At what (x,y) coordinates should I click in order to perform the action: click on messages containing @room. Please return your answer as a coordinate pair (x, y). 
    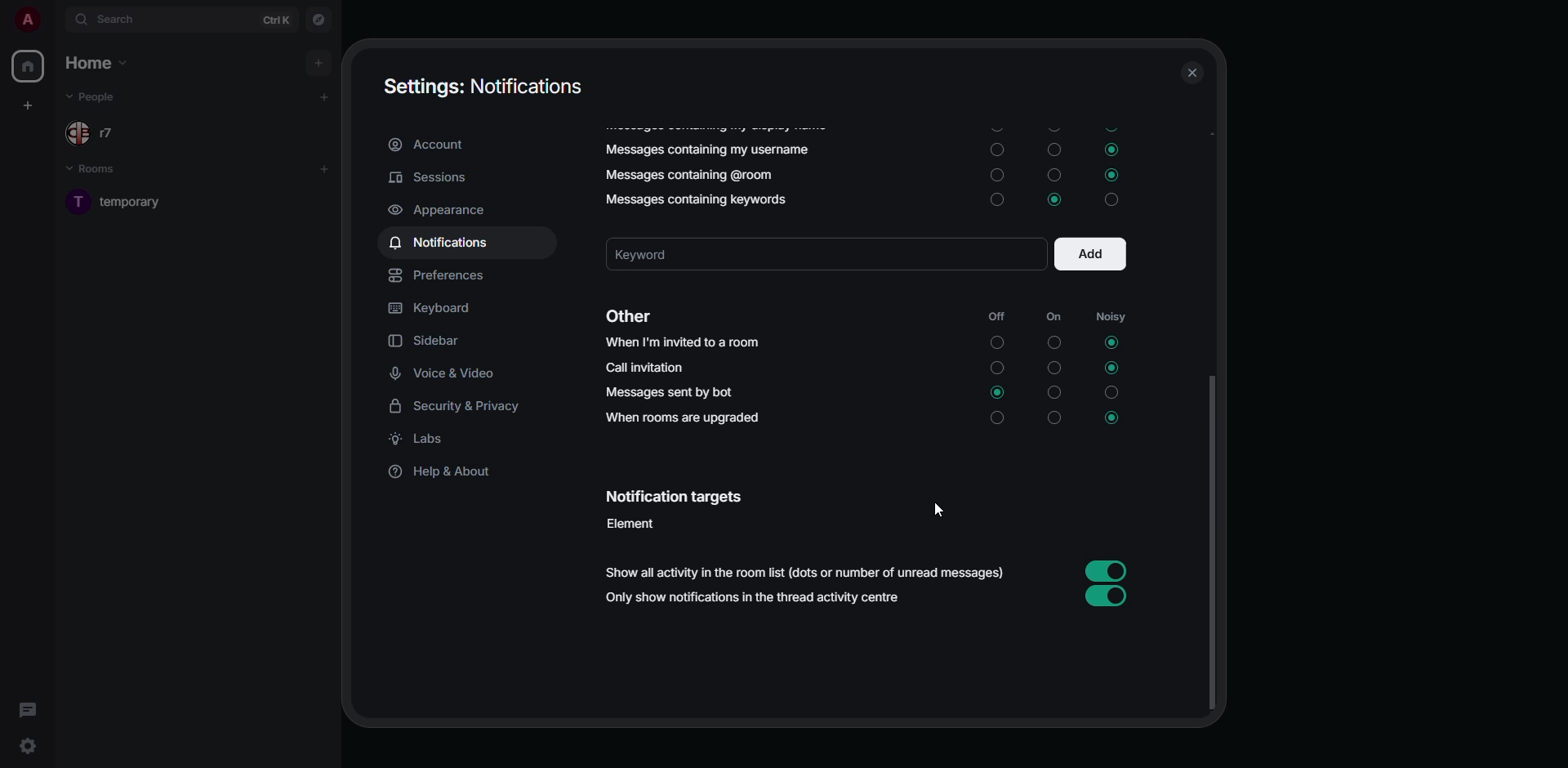
    Looking at the image, I should click on (685, 177).